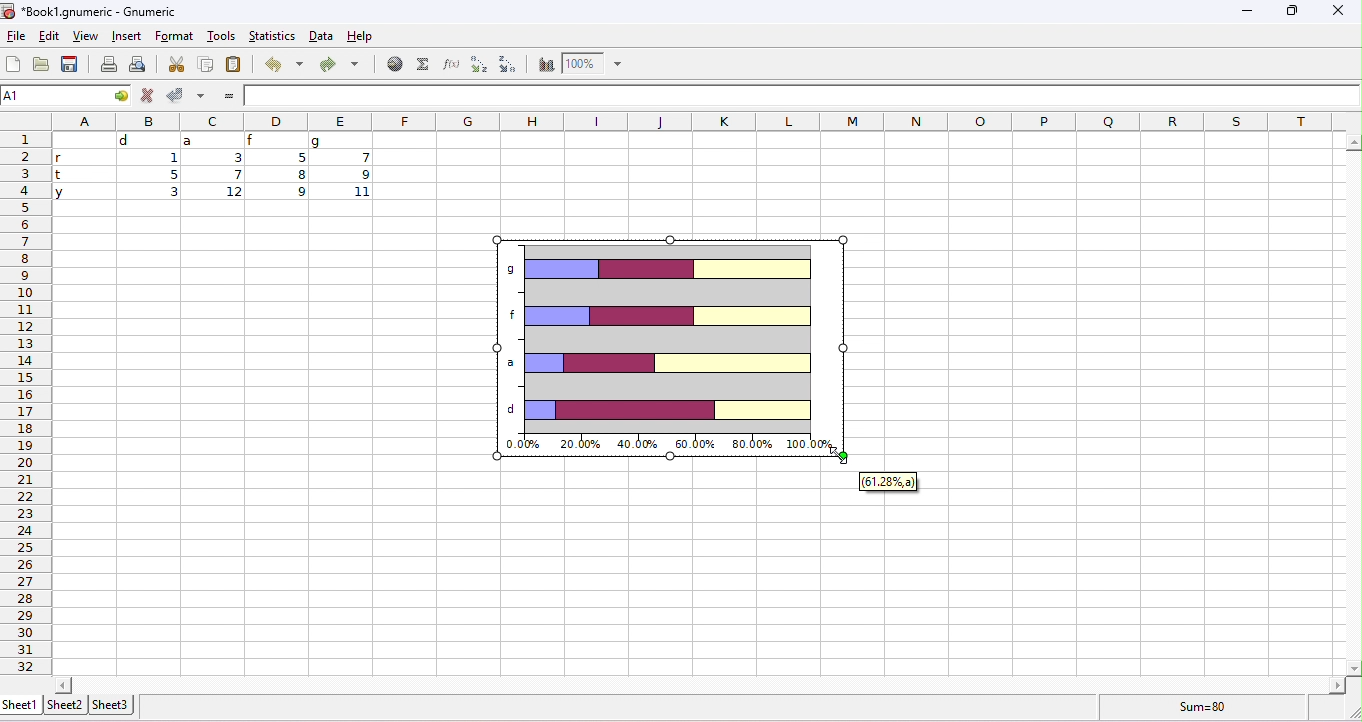  Describe the element at coordinates (234, 63) in the screenshot. I see `paste` at that location.